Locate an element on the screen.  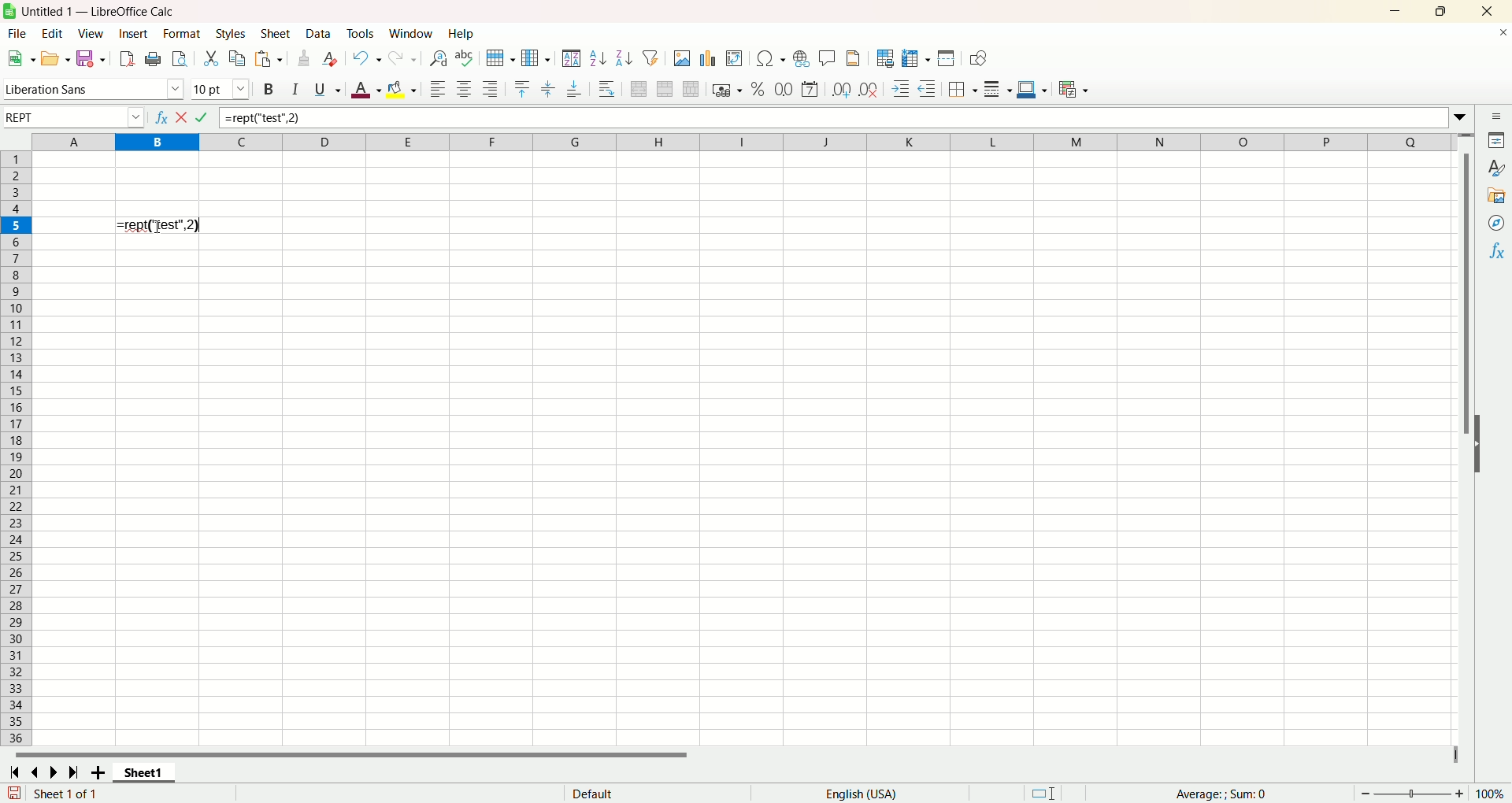
copy is located at coordinates (237, 60).